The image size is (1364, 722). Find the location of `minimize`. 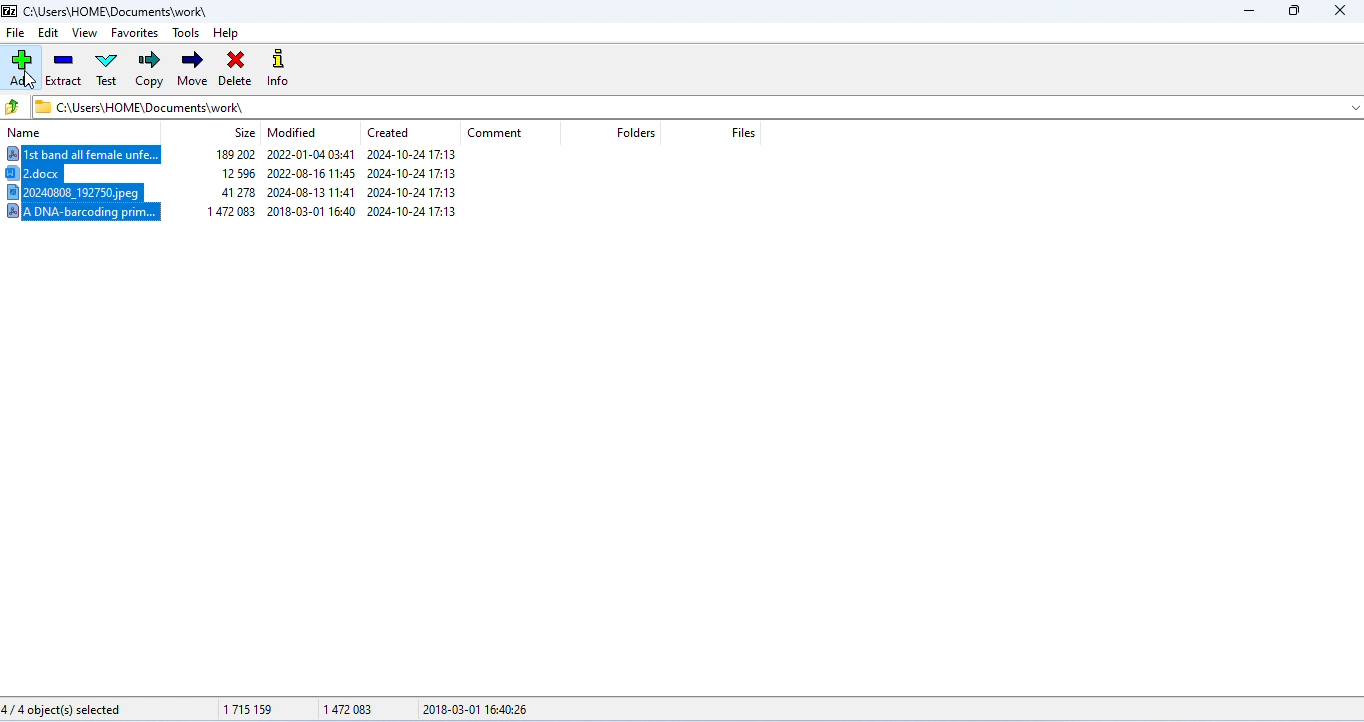

minimize is located at coordinates (1247, 12).